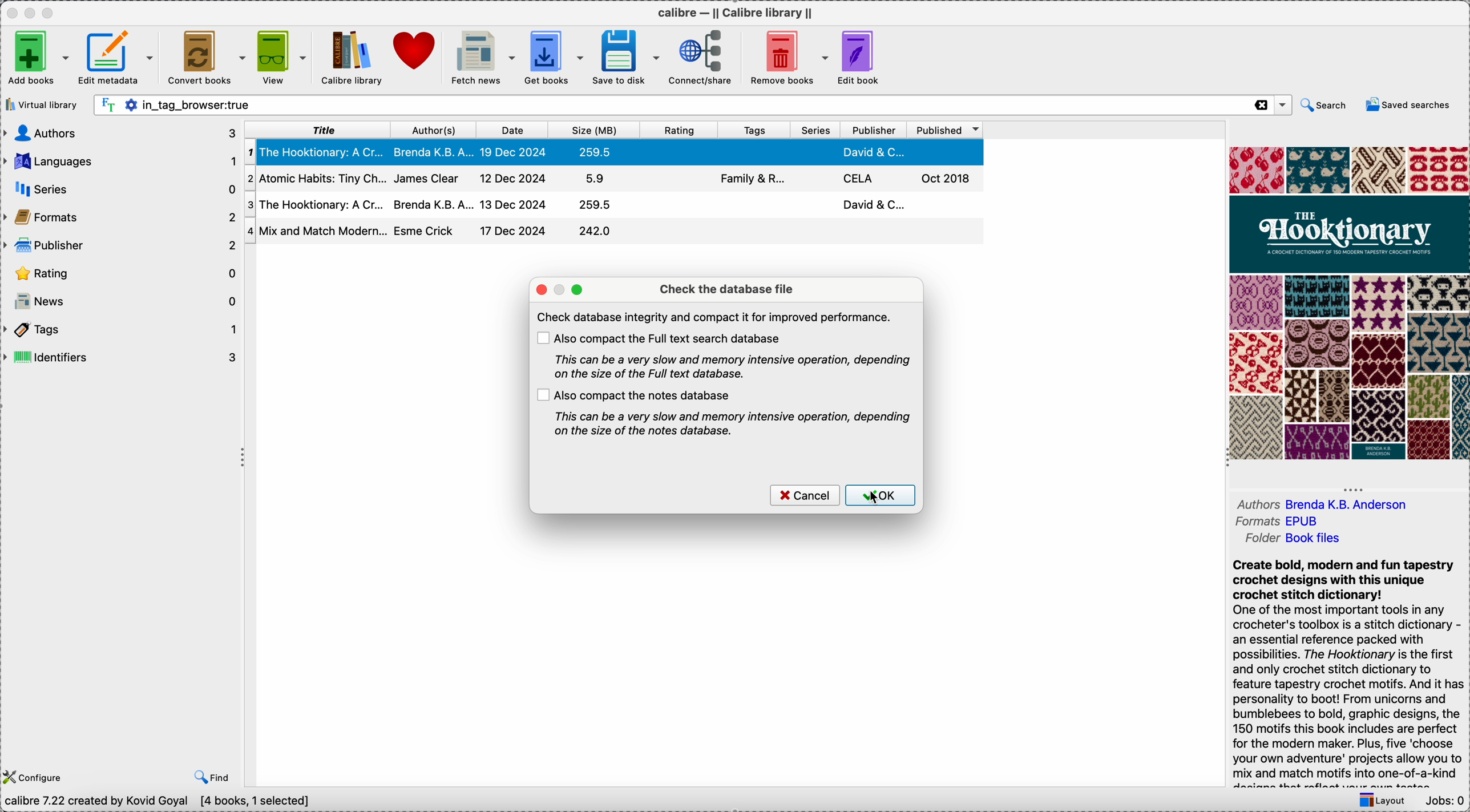 Image resolution: width=1470 pixels, height=812 pixels. I want to click on edit book, so click(863, 58).